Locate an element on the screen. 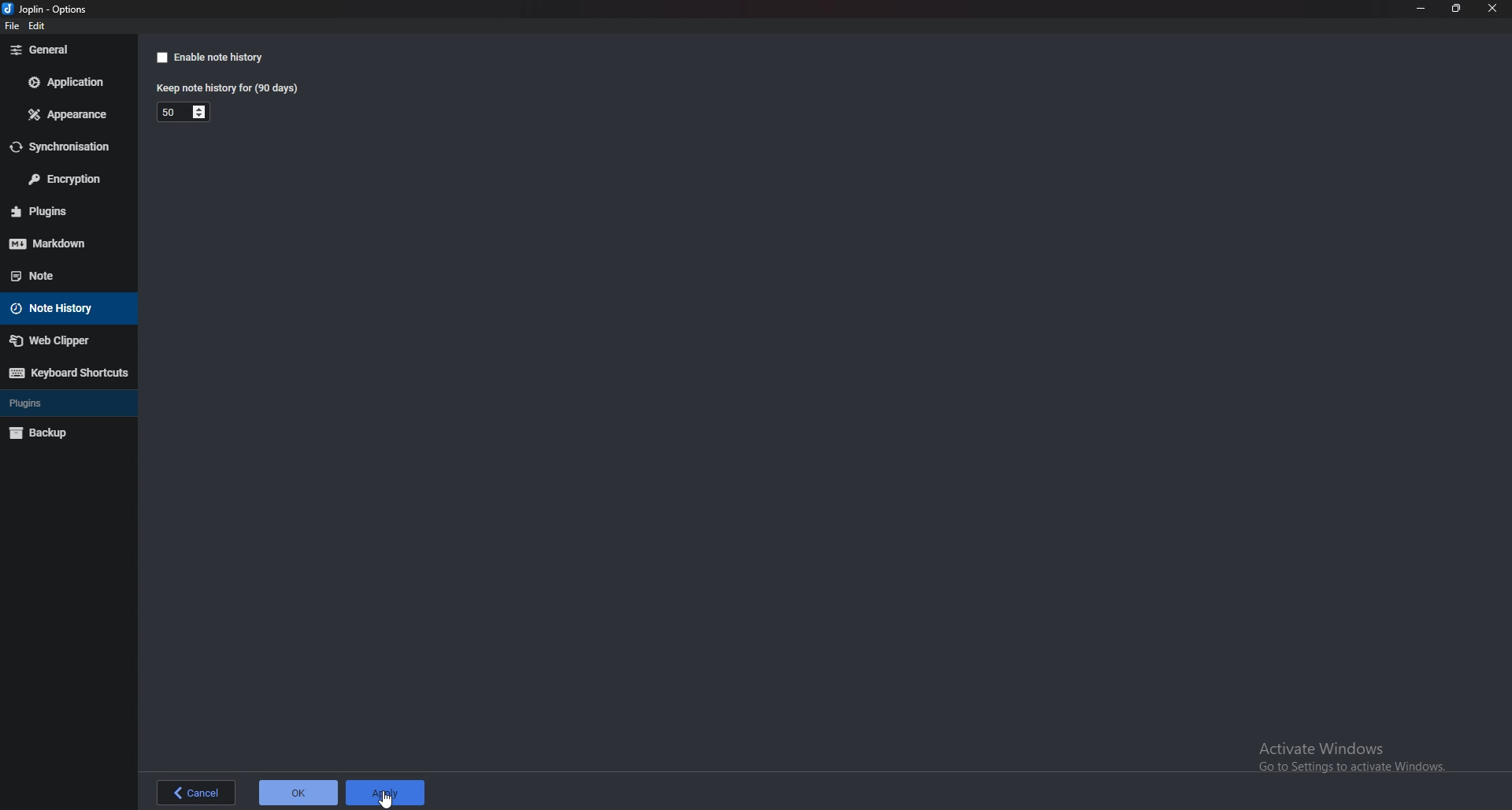 This screenshot has width=1512, height=810. Web Clipper is located at coordinates (62, 340).